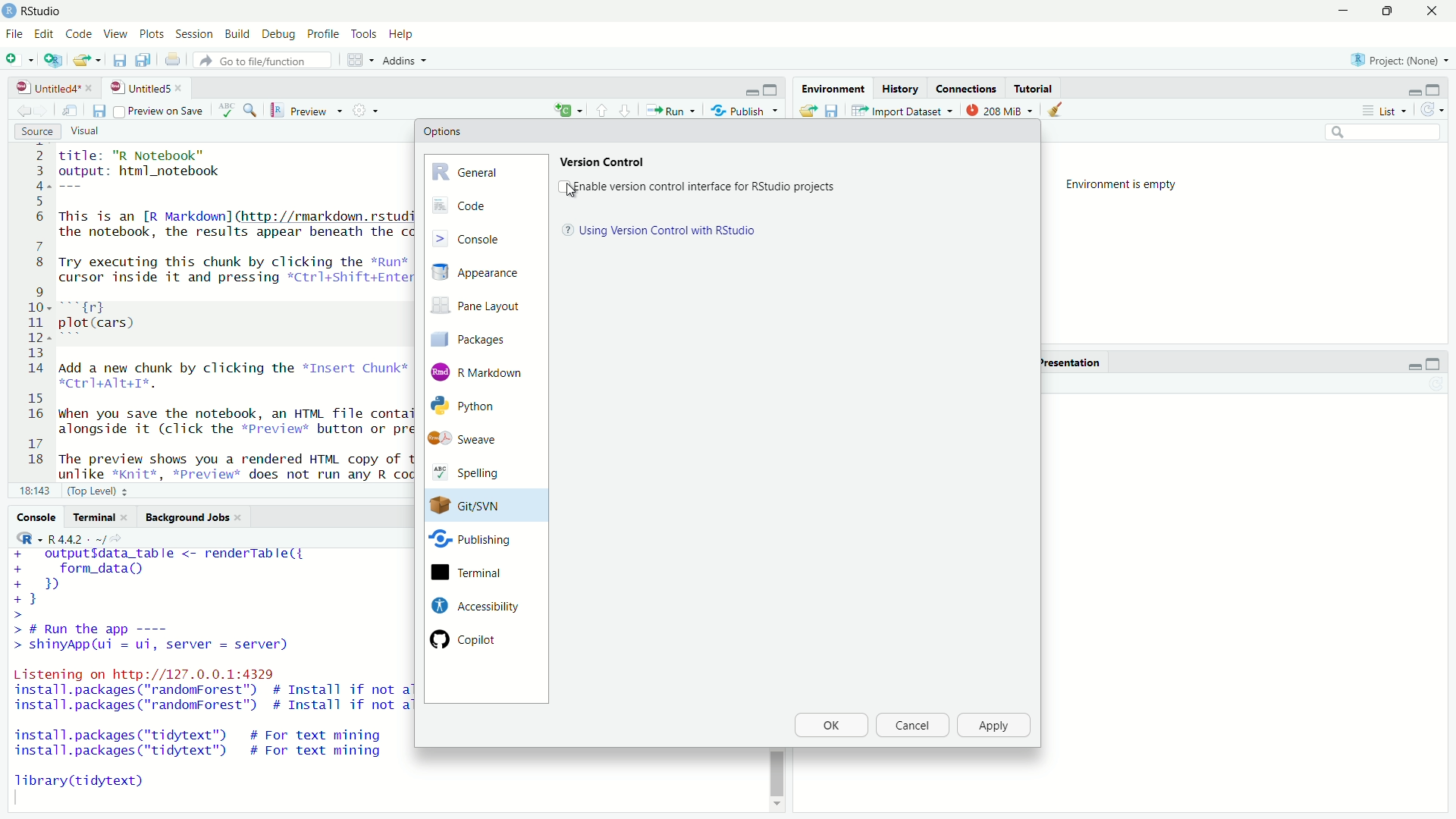 The height and width of the screenshot is (819, 1456). What do you see at coordinates (92, 88) in the screenshot?
I see `close` at bounding box center [92, 88].